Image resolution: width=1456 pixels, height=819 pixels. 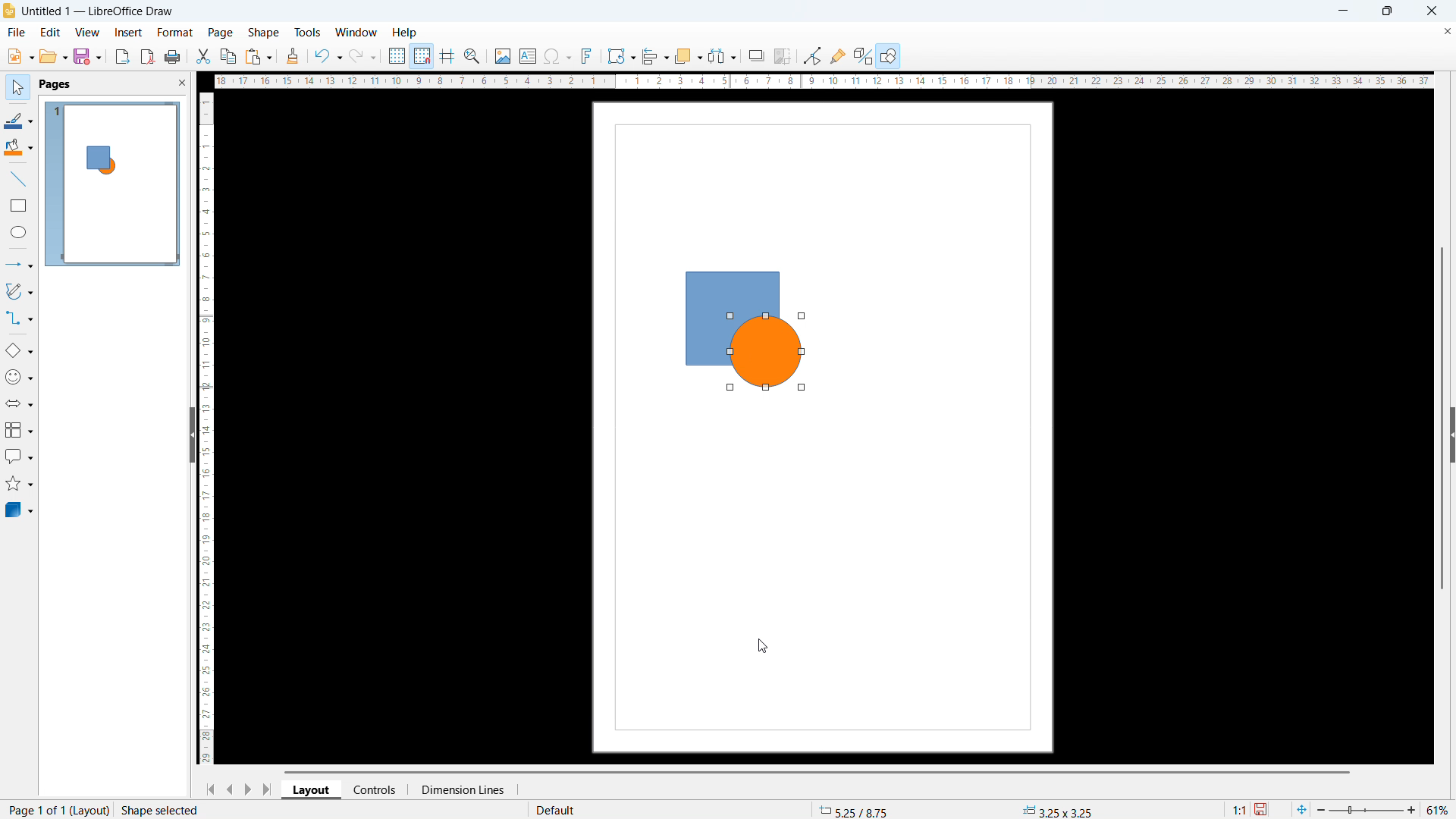 What do you see at coordinates (202, 57) in the screenshot?
I see `cut ` at bounding box center [202, 57].